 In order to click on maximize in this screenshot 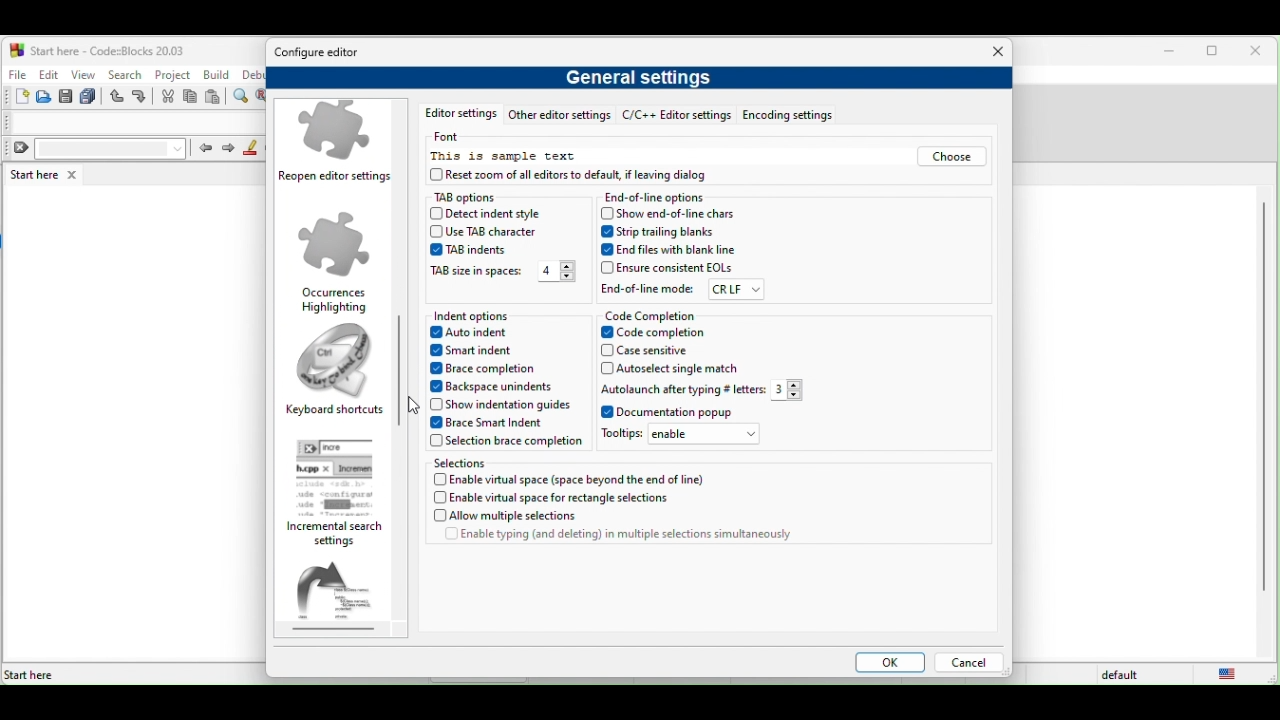, I will do `click(1216, 53)`.